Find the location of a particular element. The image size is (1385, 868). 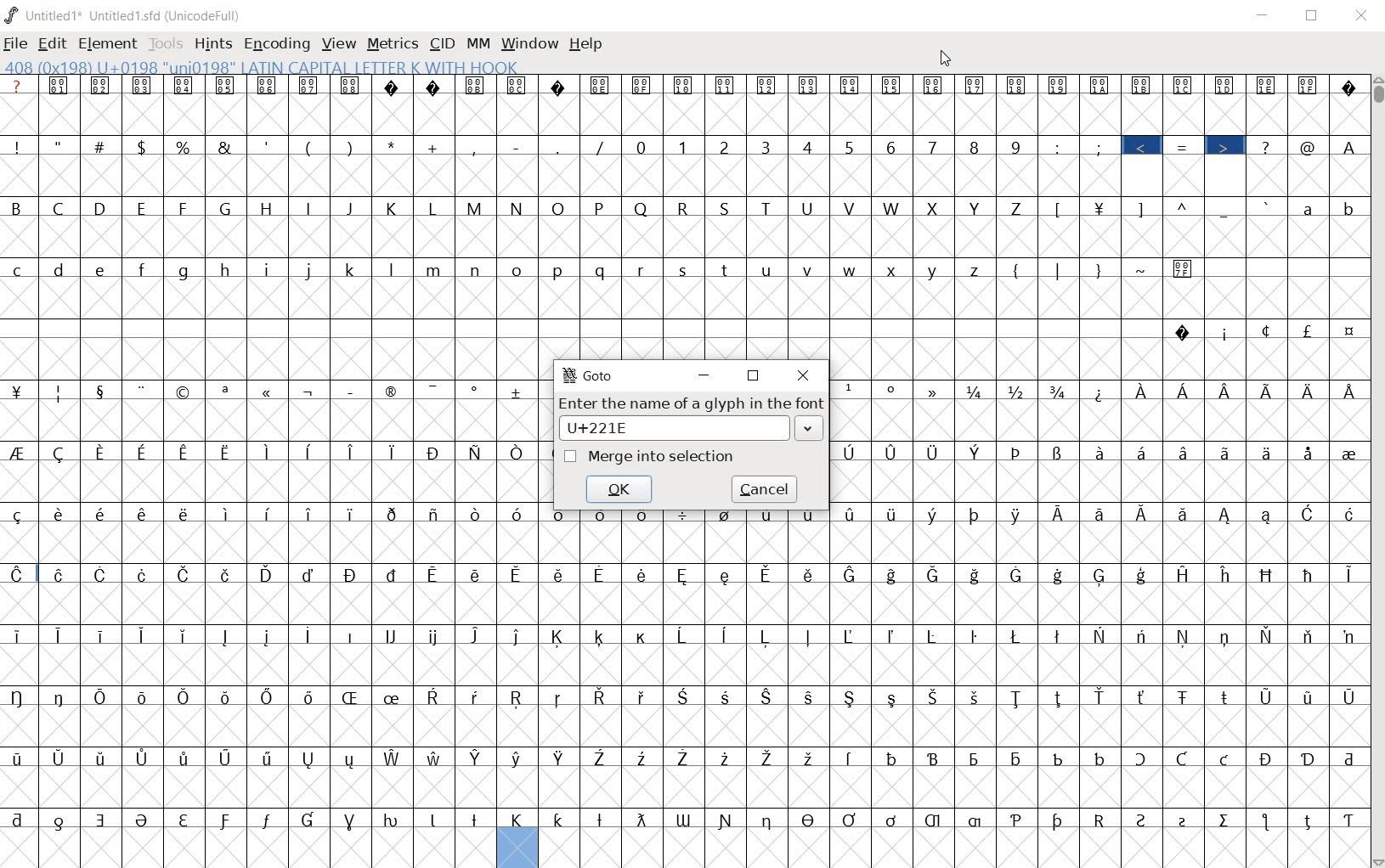

fractions is located at coordinates (1021, 390).